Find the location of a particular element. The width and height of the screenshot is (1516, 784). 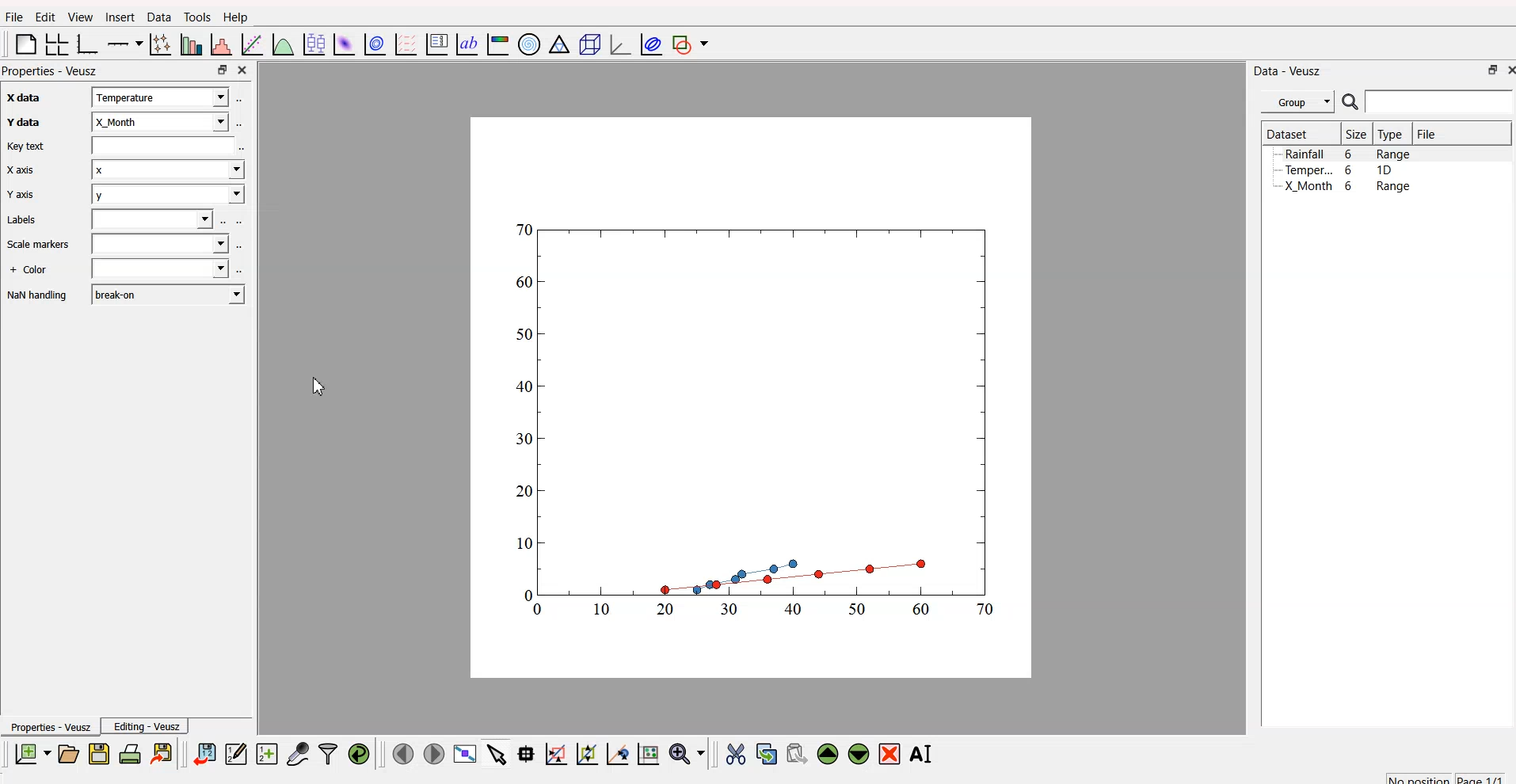

File is located at coordinates (1428, 134).